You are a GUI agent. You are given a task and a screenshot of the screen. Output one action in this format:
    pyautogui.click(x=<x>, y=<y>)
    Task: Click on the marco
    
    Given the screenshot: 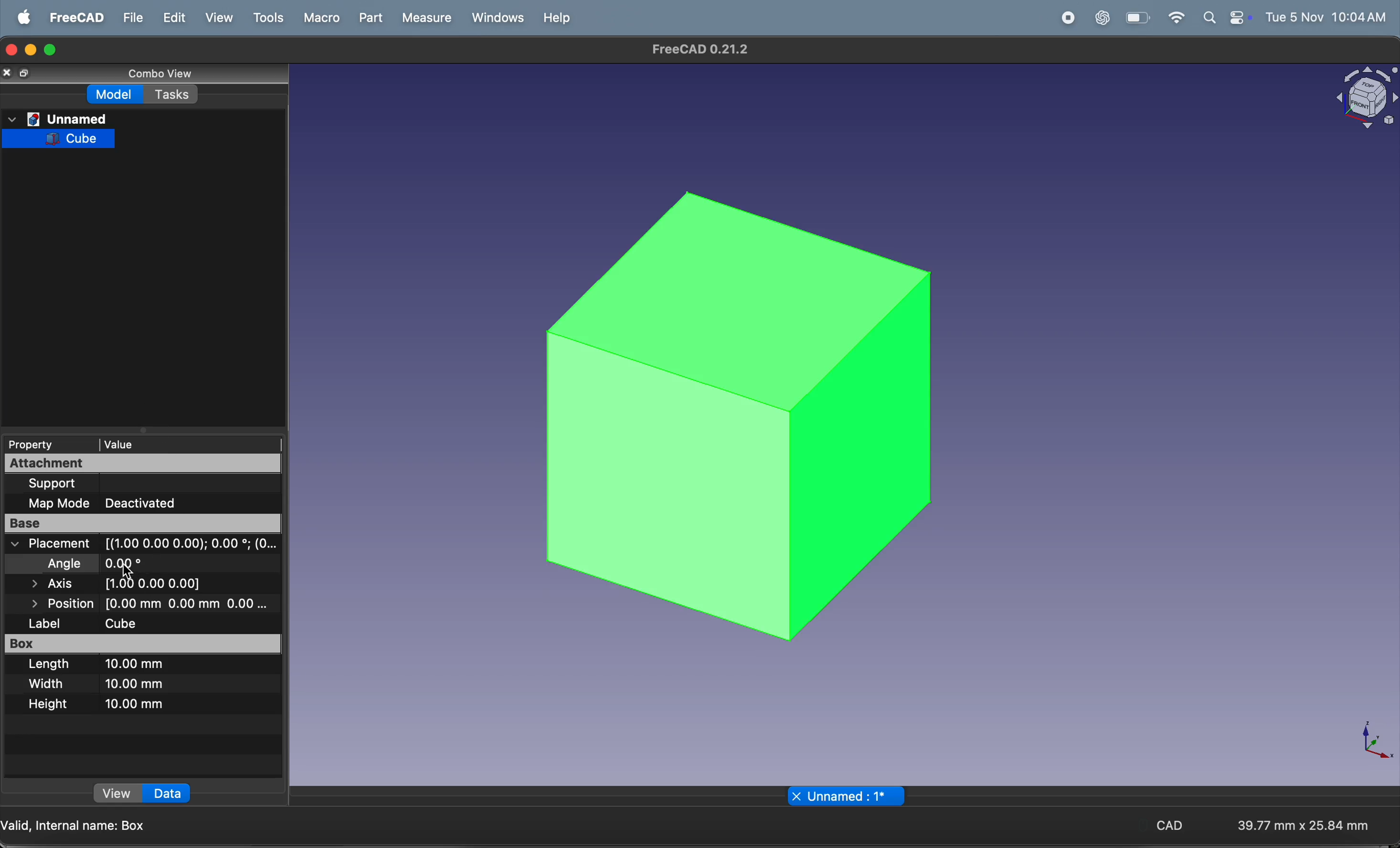 What is the action you would take?
    pyautogui.click(x=322, y=16)
    